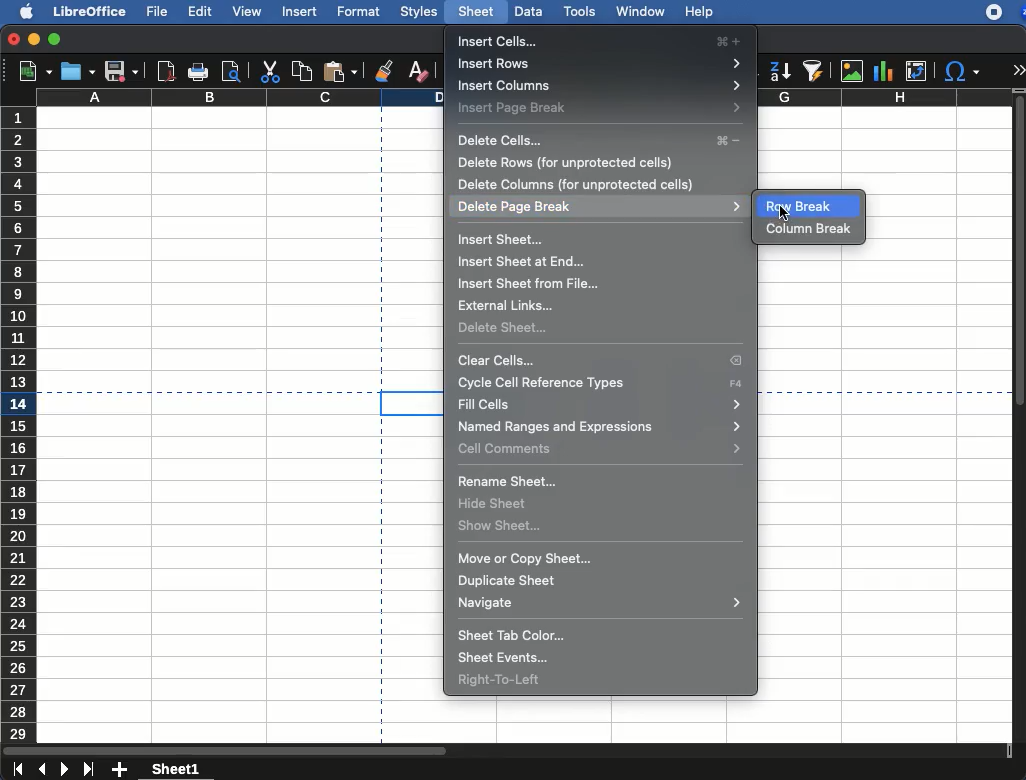  What do you see at coordinates (410, 403) in the screenshot?
I see `cell selected` at bounding box center [410, 403].